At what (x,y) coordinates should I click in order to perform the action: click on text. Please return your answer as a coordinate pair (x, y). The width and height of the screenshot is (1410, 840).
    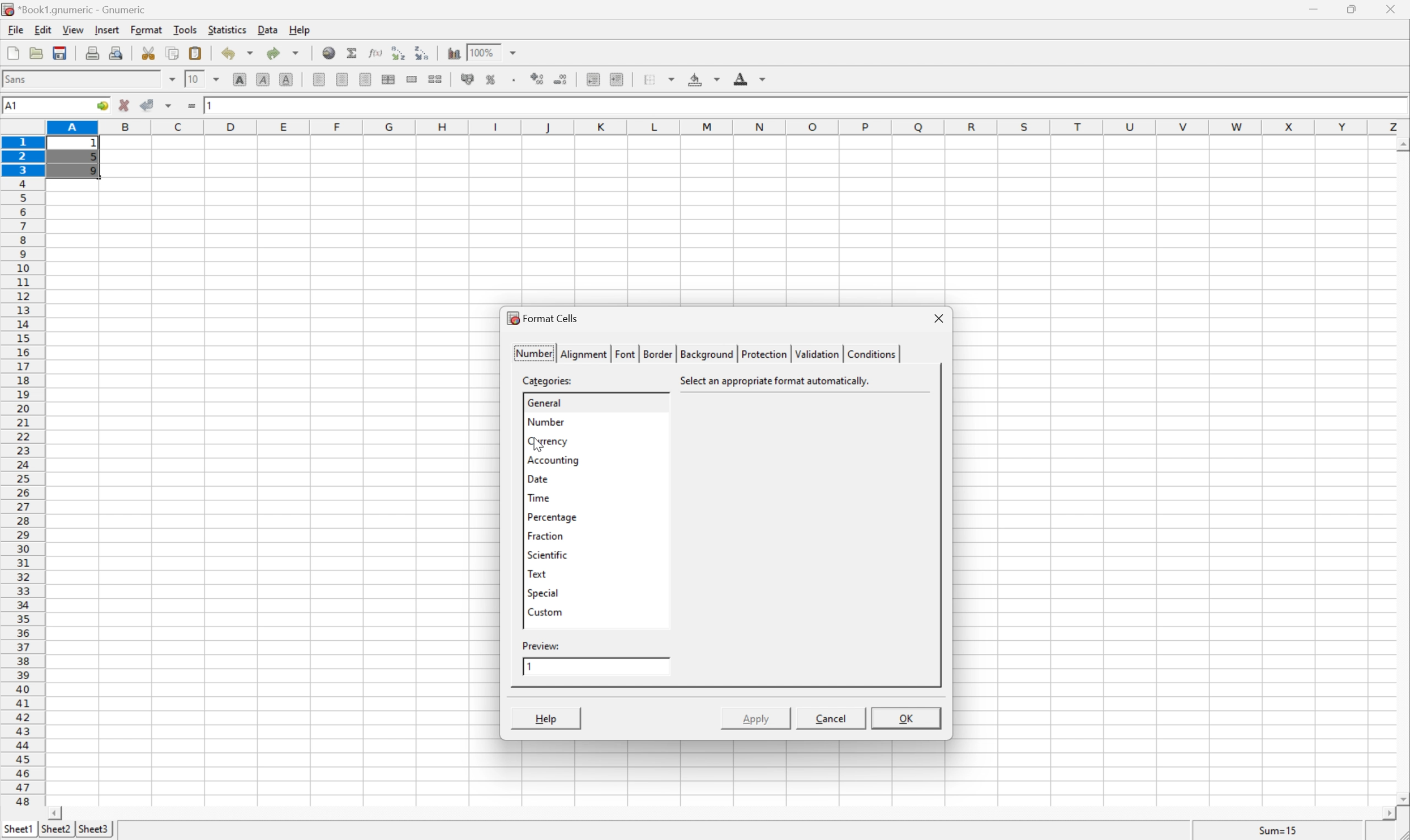
    Looking at the image, I should click on (537, 573).